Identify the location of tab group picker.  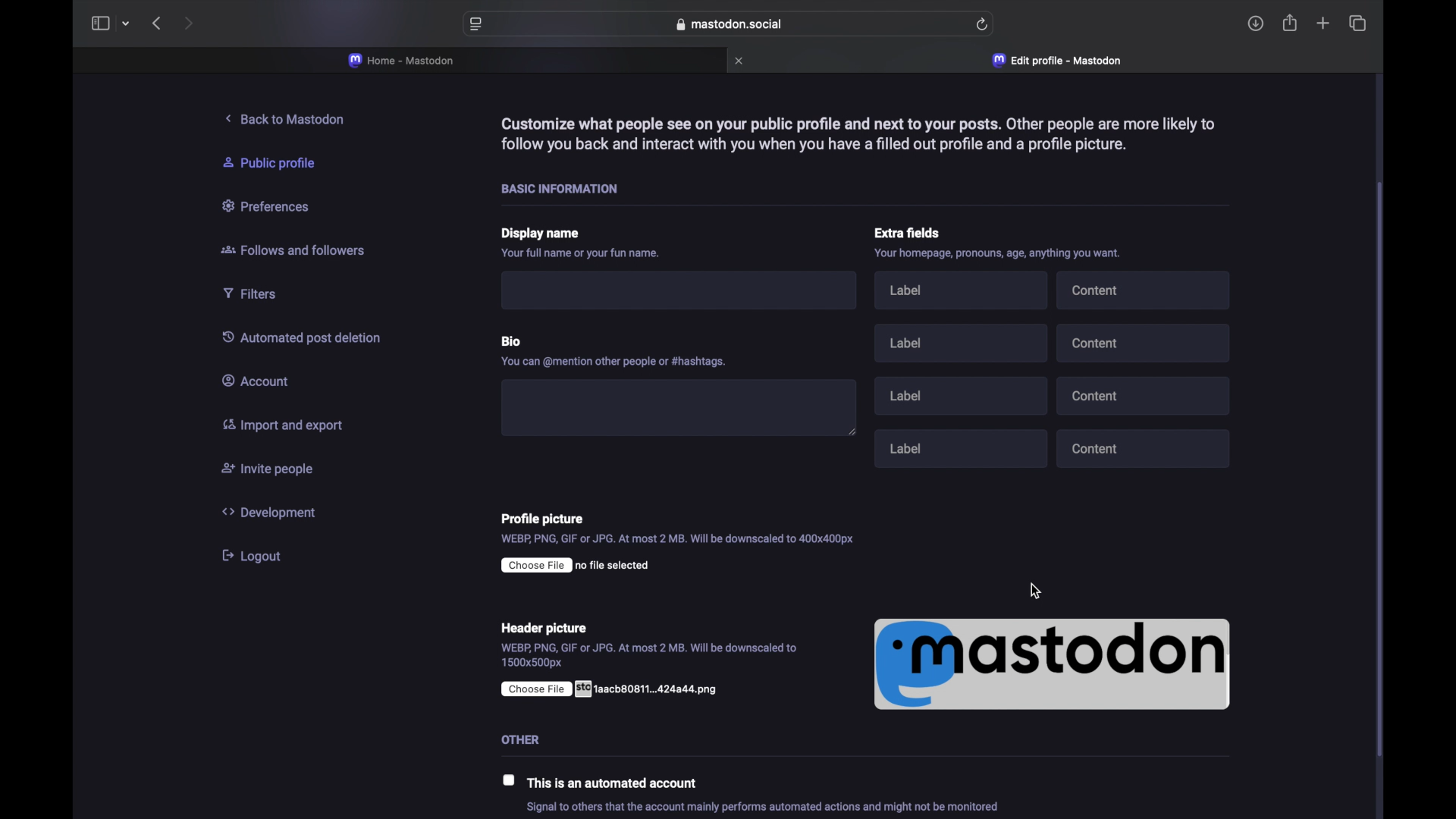
(126, 24).